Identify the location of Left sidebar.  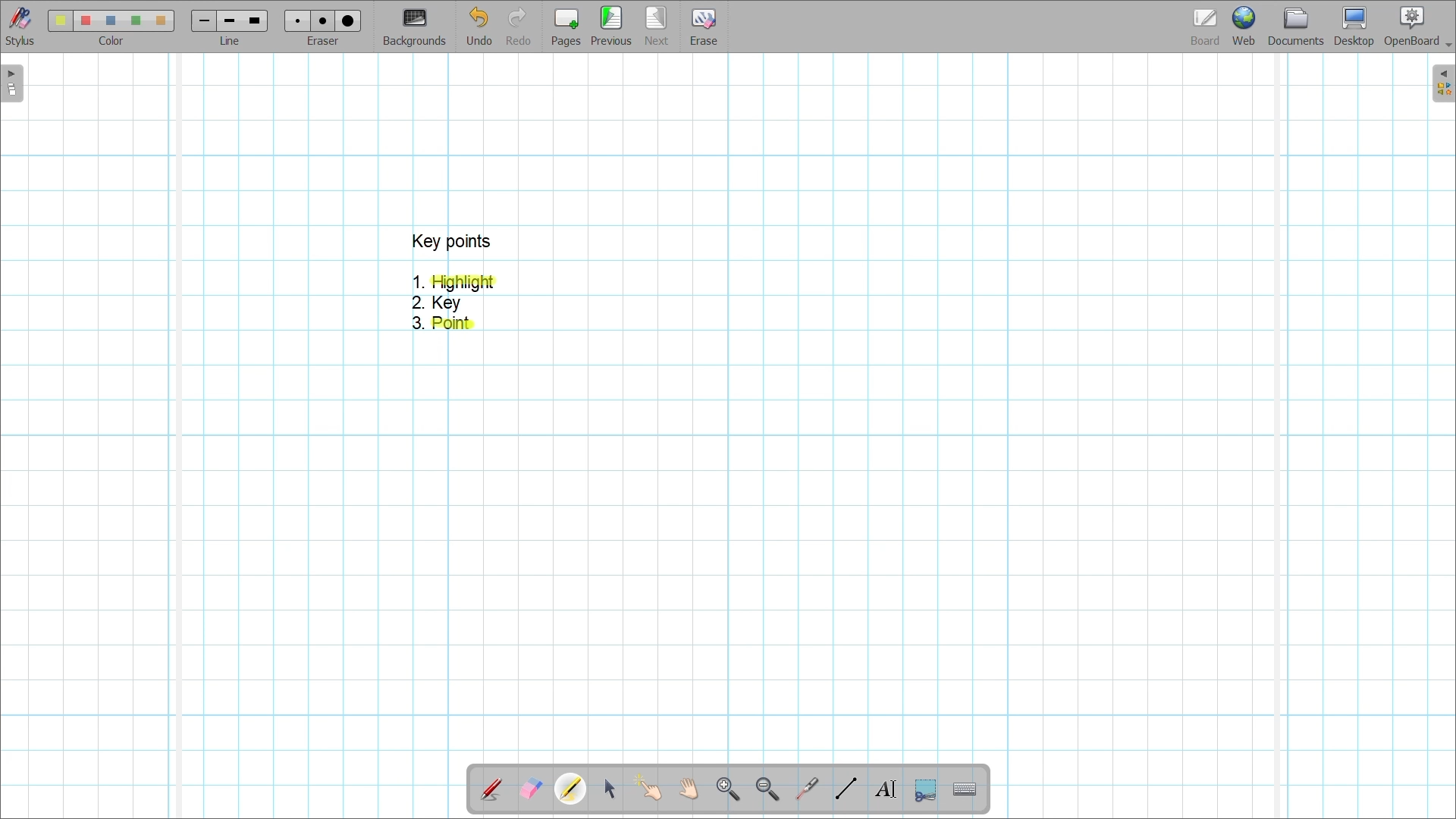
(12, 83).